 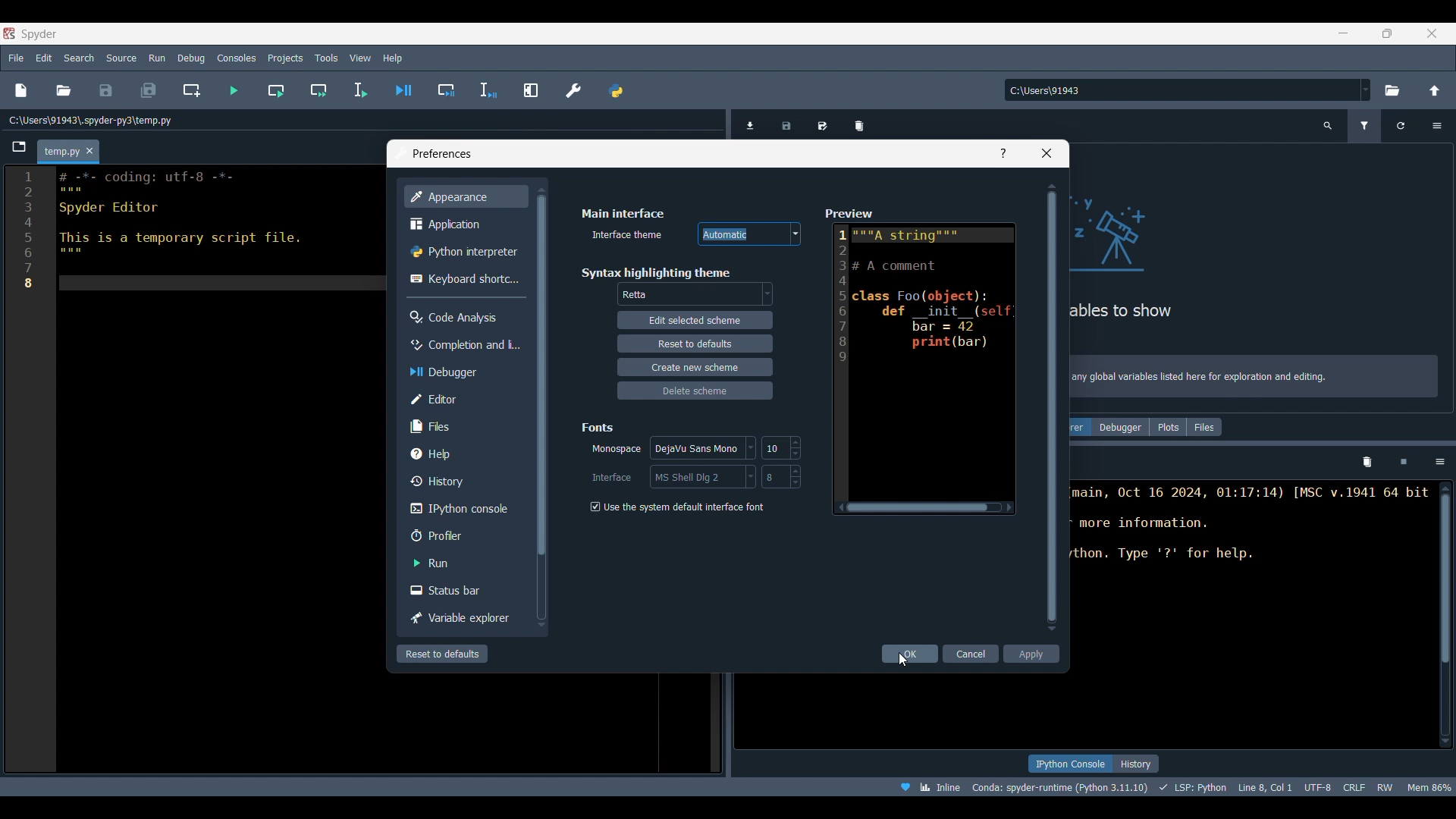 What do you see at coordinates (1046, 153) in the screenshot?
I see `Close` at bounding box center [1046, 153].